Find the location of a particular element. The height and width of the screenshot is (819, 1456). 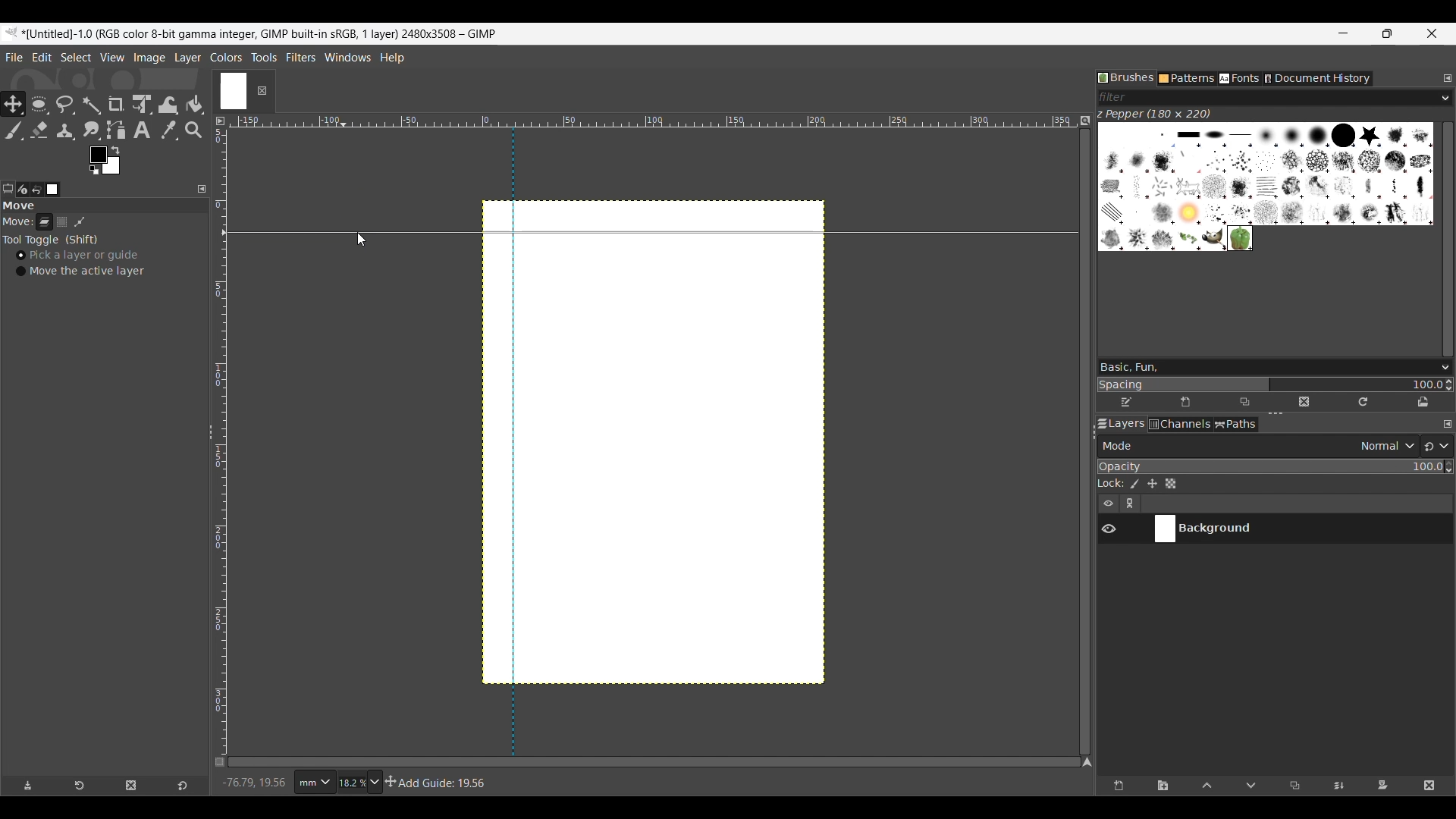

Selection is located at coordinates (65, 224).